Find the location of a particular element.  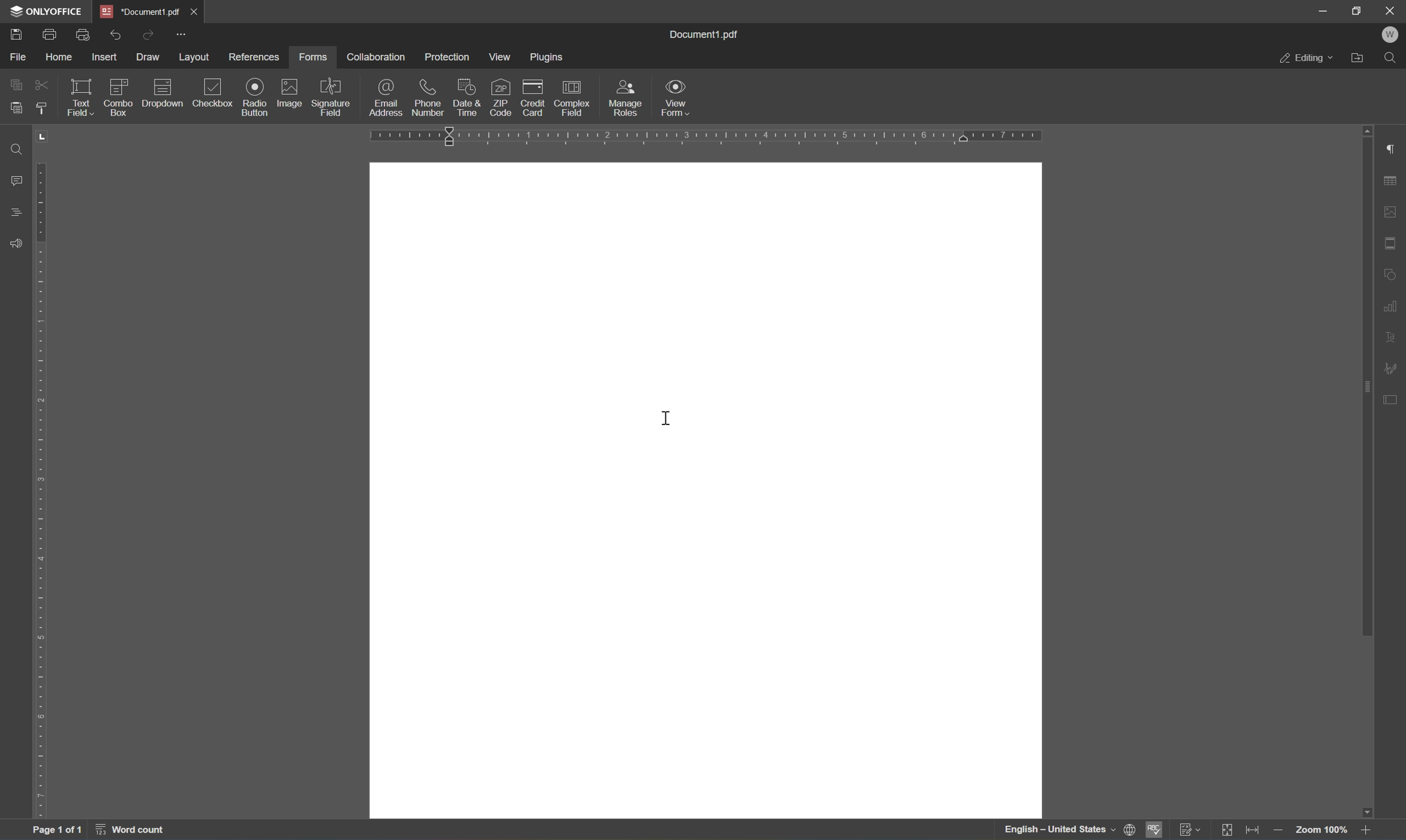

home is located at coordinates (60, 55).